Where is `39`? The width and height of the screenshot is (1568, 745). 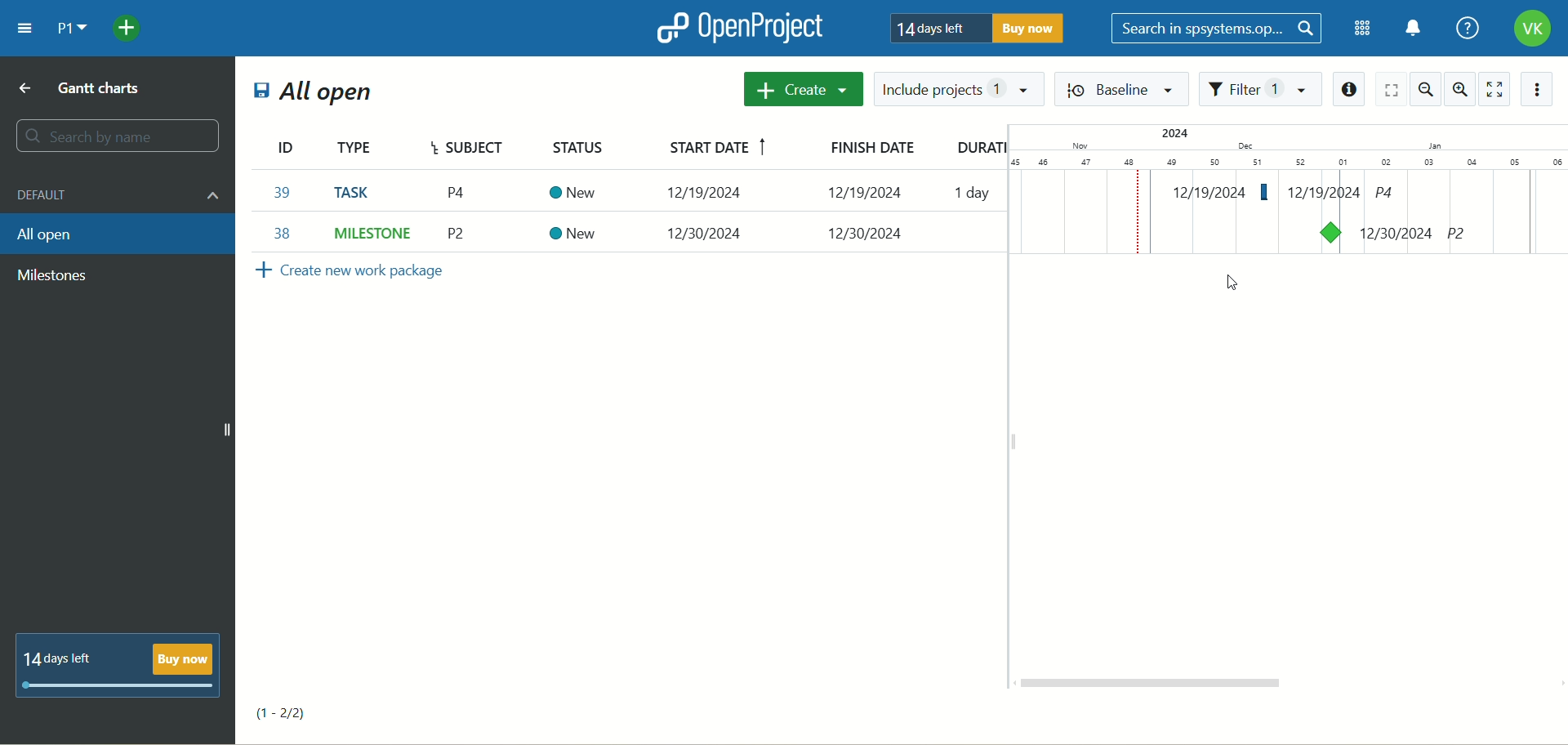 39 is located at coordinates (287, 232).